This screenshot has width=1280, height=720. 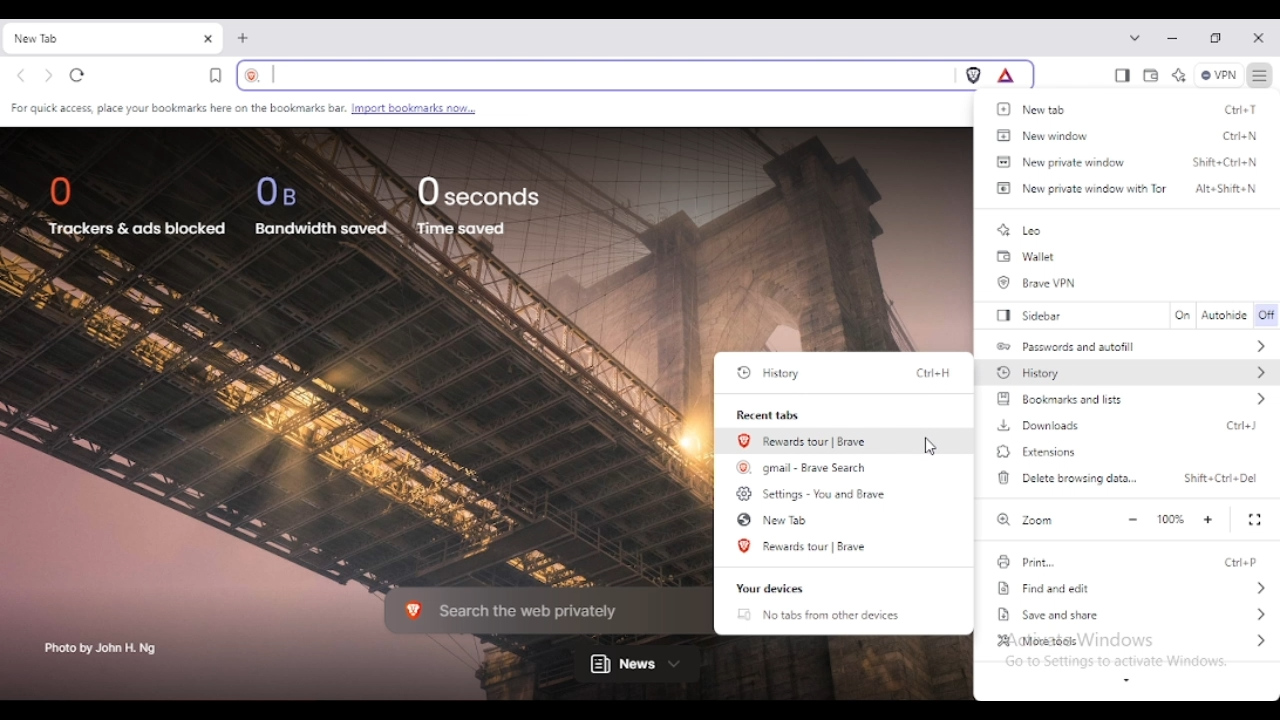 I want to click on make text smaller, so click(x=1133, y=520).